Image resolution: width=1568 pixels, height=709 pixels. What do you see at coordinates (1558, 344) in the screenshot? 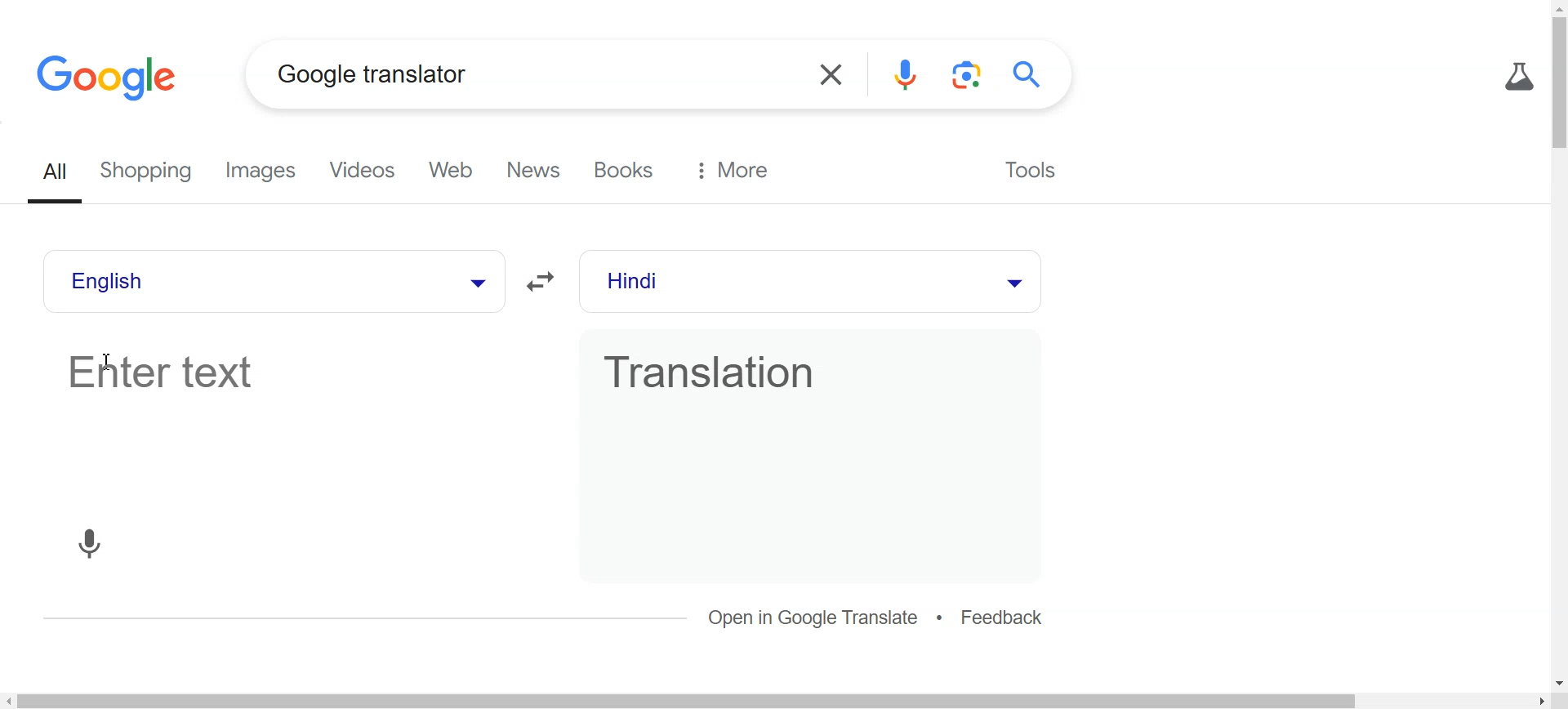
I see `Vertical scroll bar` at bounding box center [1558, 344].